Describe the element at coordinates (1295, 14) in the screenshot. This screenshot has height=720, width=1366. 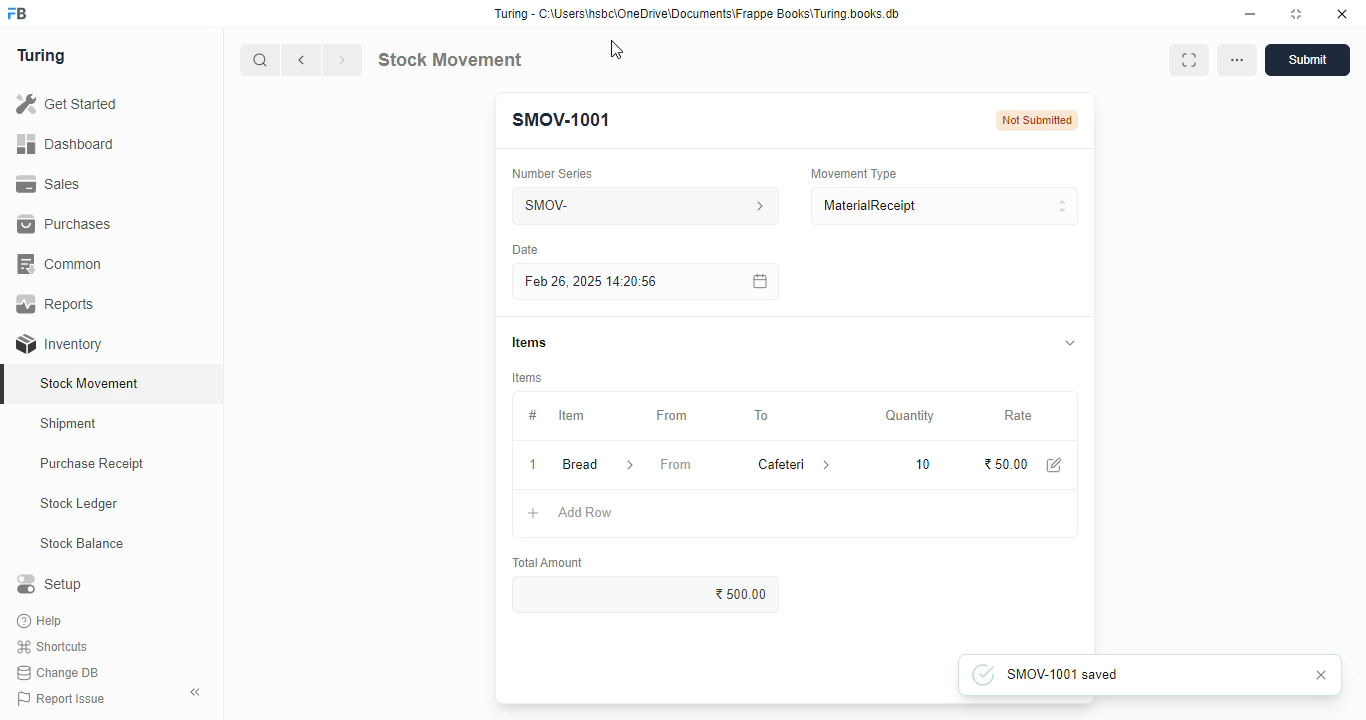
I see `toggle maximize` at that location.